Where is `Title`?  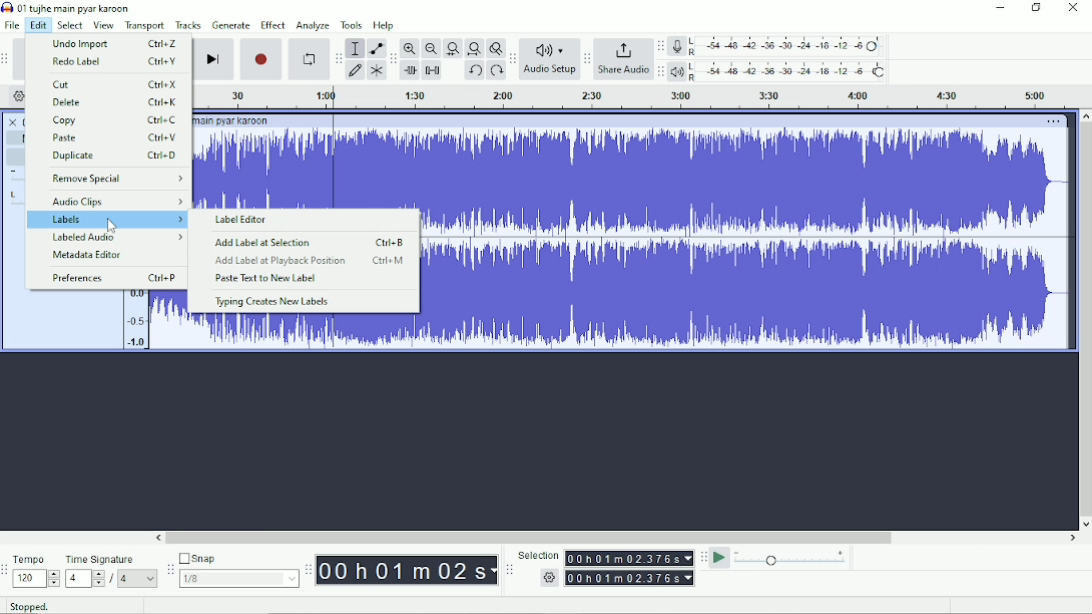 Title is located at coordinates (67, 8).